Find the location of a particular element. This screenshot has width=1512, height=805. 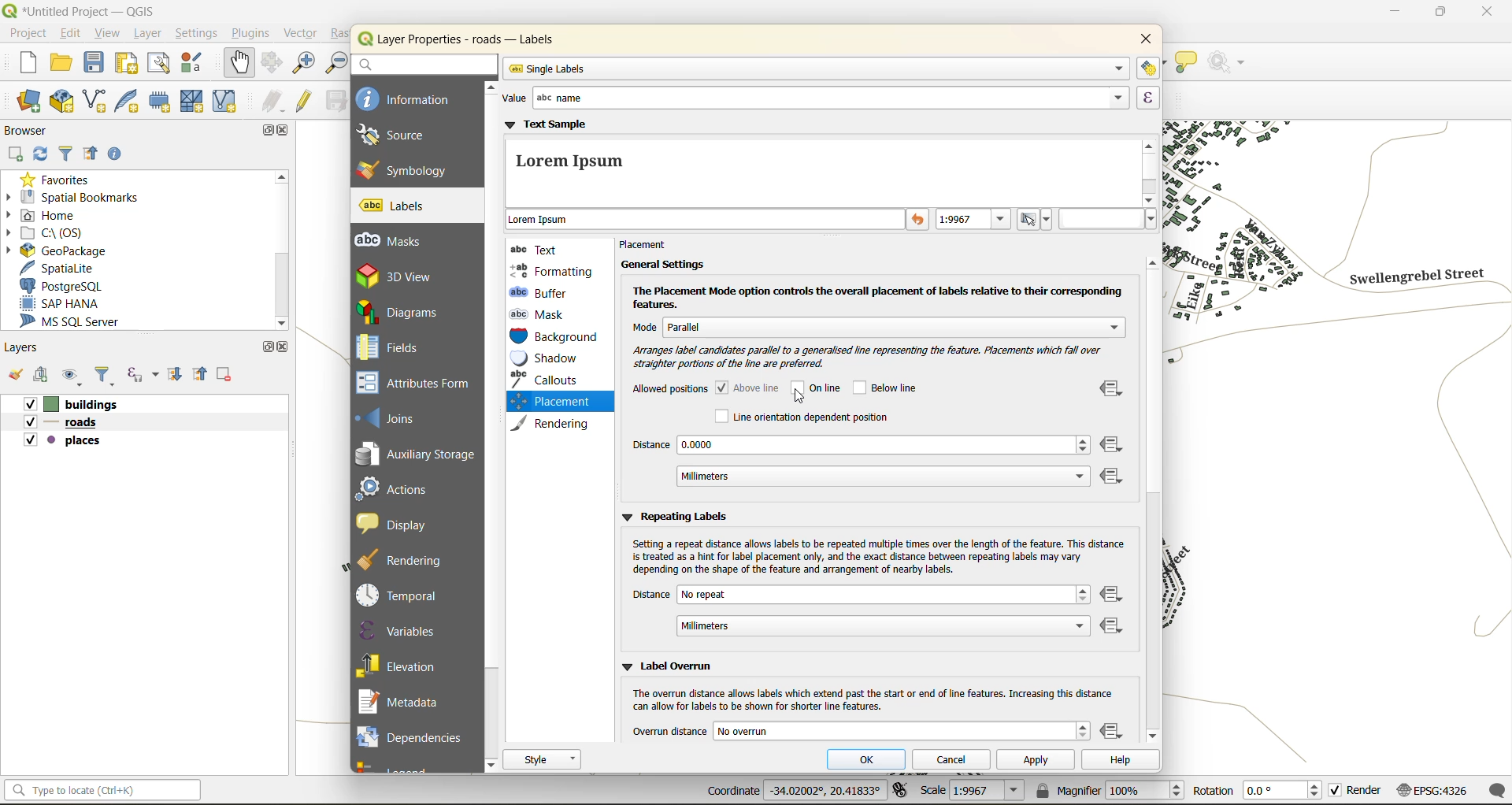

roads layer is located at coordinates (68, 423).